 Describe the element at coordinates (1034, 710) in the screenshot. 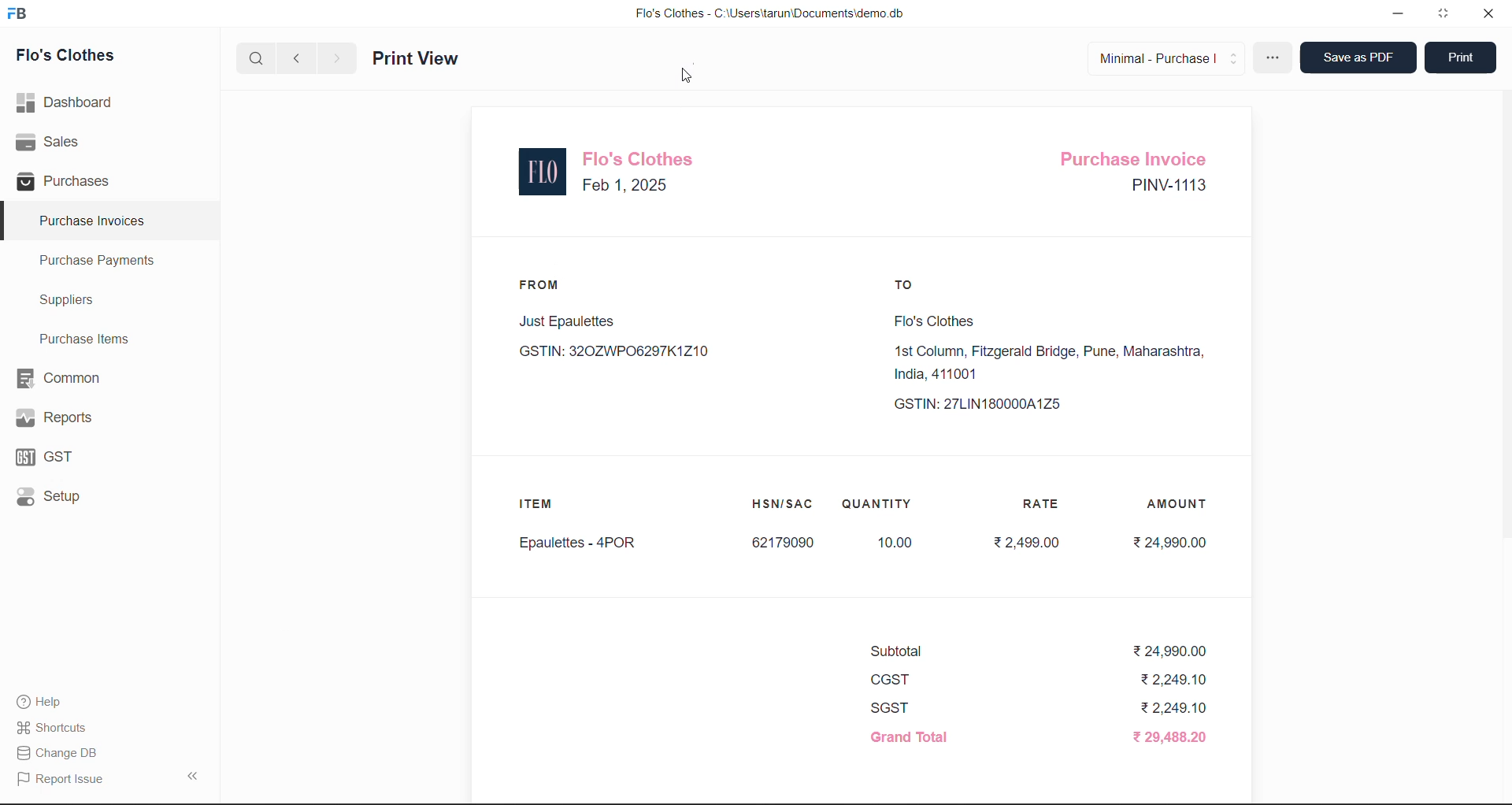

I see `SGST ₹2,249.10` at that location.